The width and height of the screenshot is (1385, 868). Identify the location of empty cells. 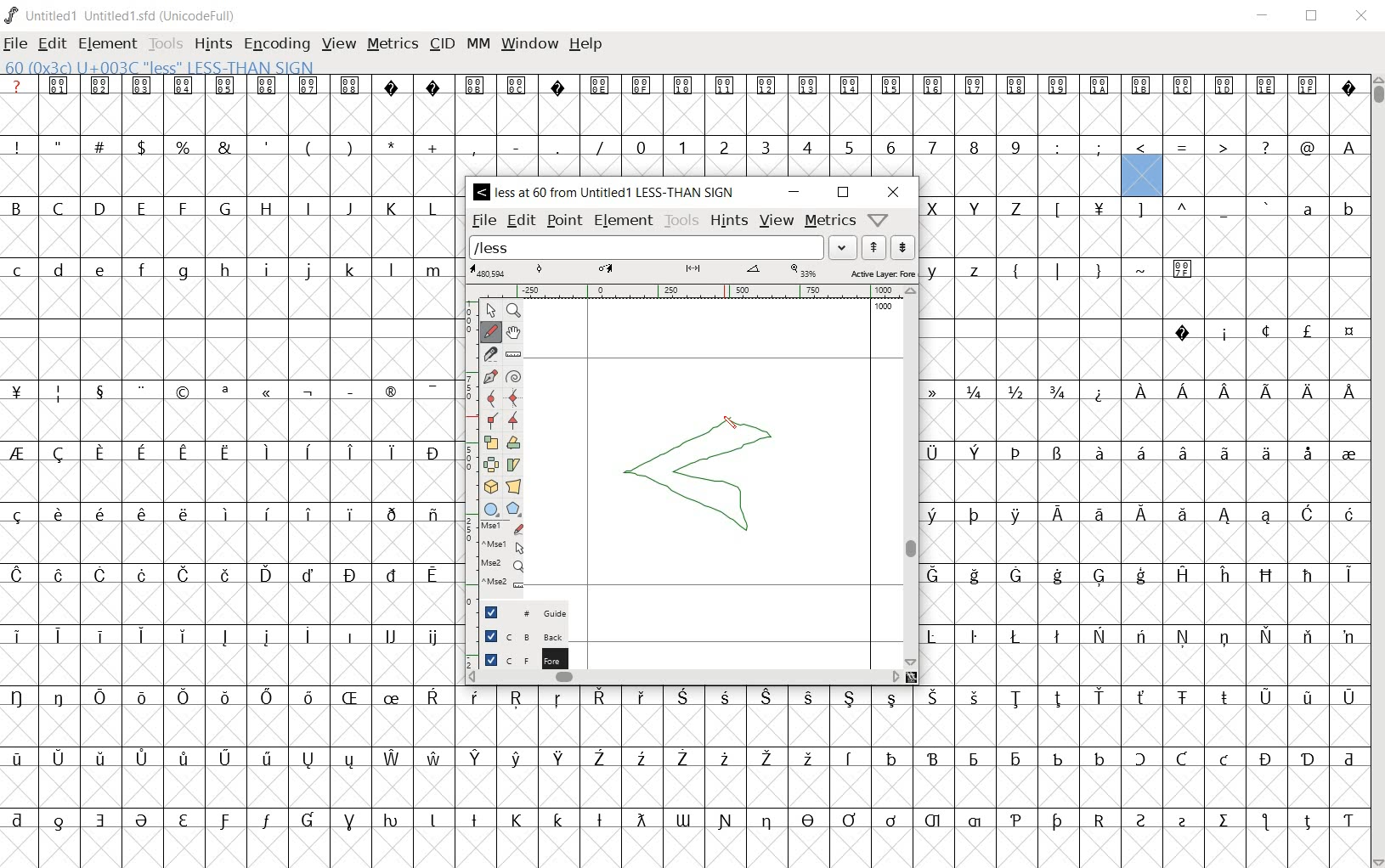
(229, 667).